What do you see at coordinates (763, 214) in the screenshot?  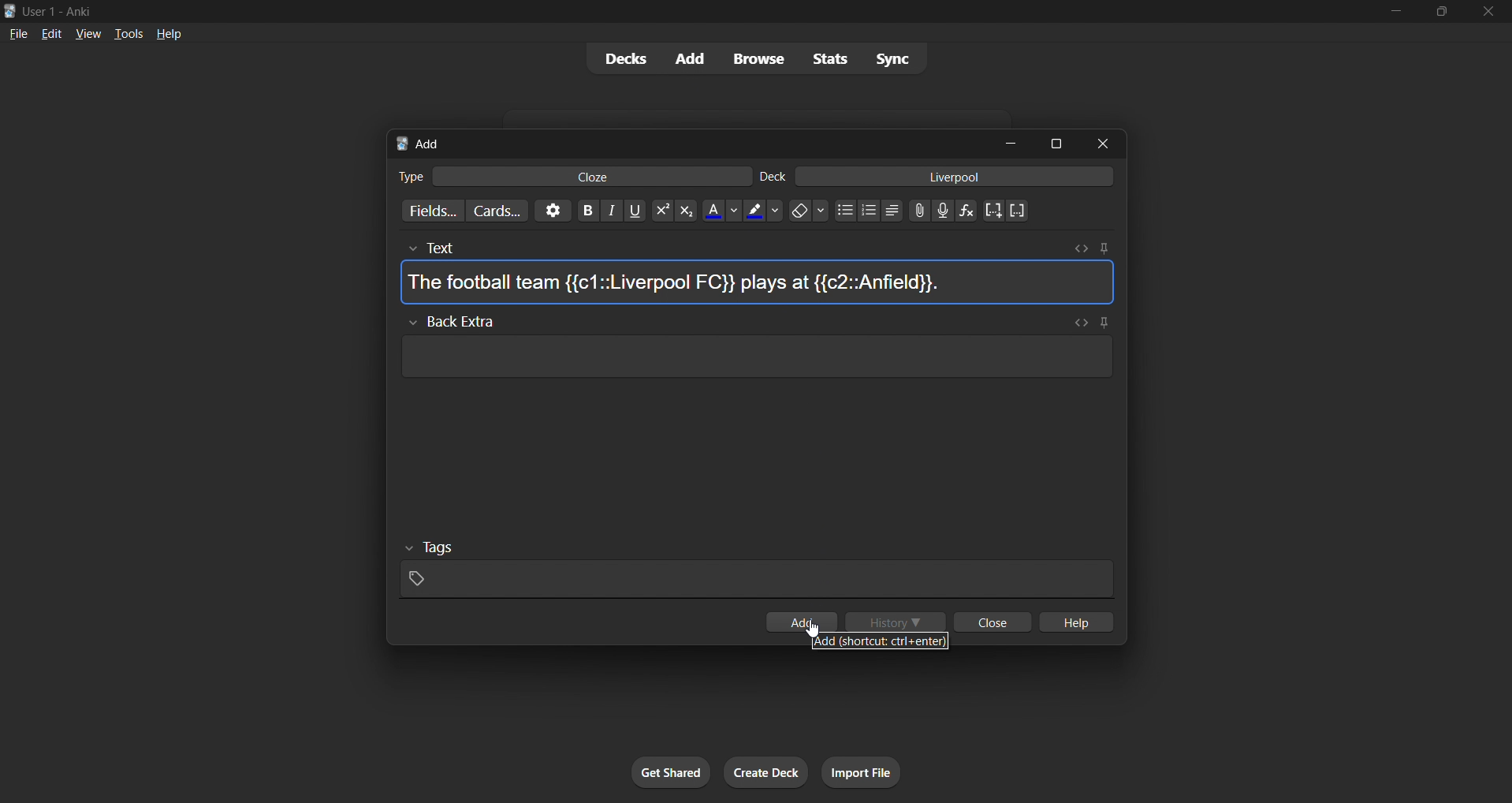 I see `highlight color` at bounding box center [763, 214].